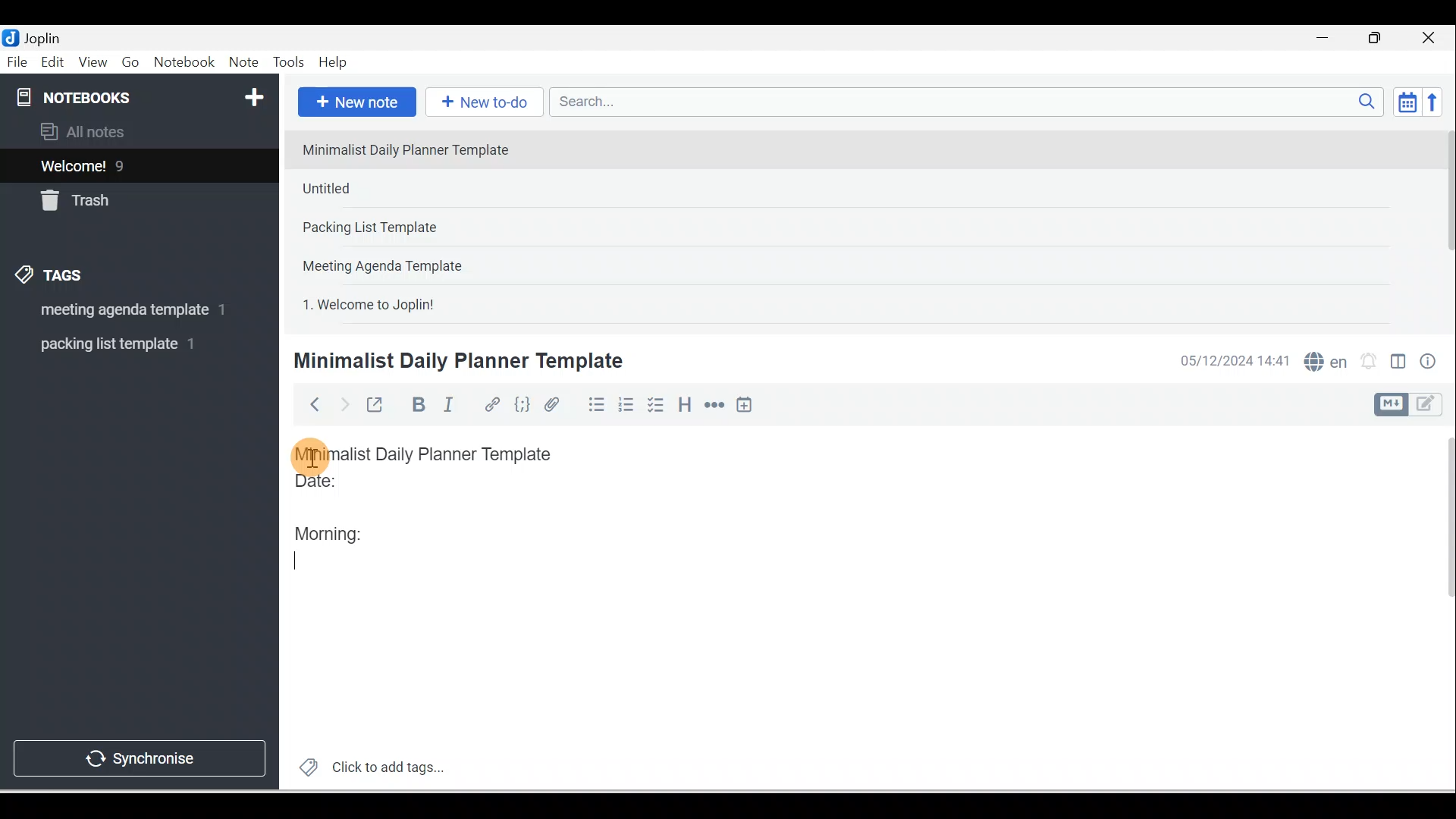 Image resolution: width=1456 pixels, height=819 pixels. I want to click on Note 4, so click(403, 262).